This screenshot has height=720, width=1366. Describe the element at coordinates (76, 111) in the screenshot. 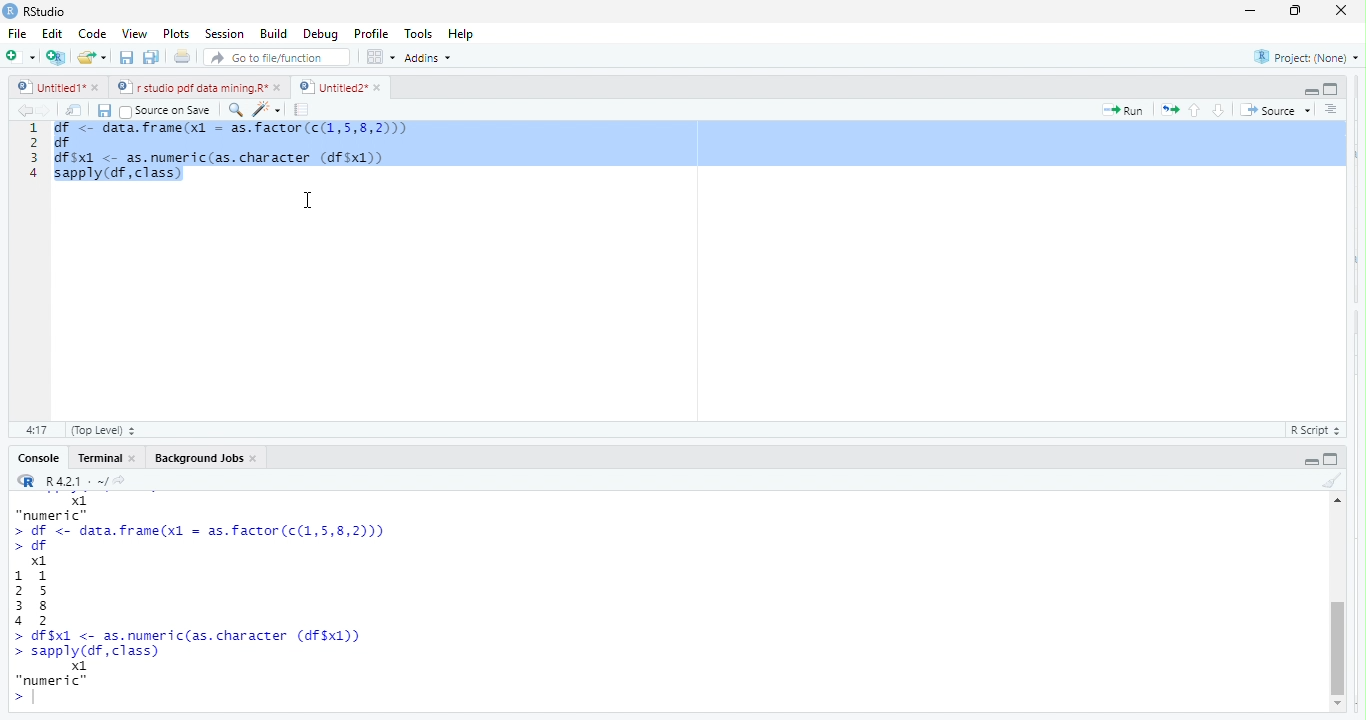

I see `show in new window.` at that location.